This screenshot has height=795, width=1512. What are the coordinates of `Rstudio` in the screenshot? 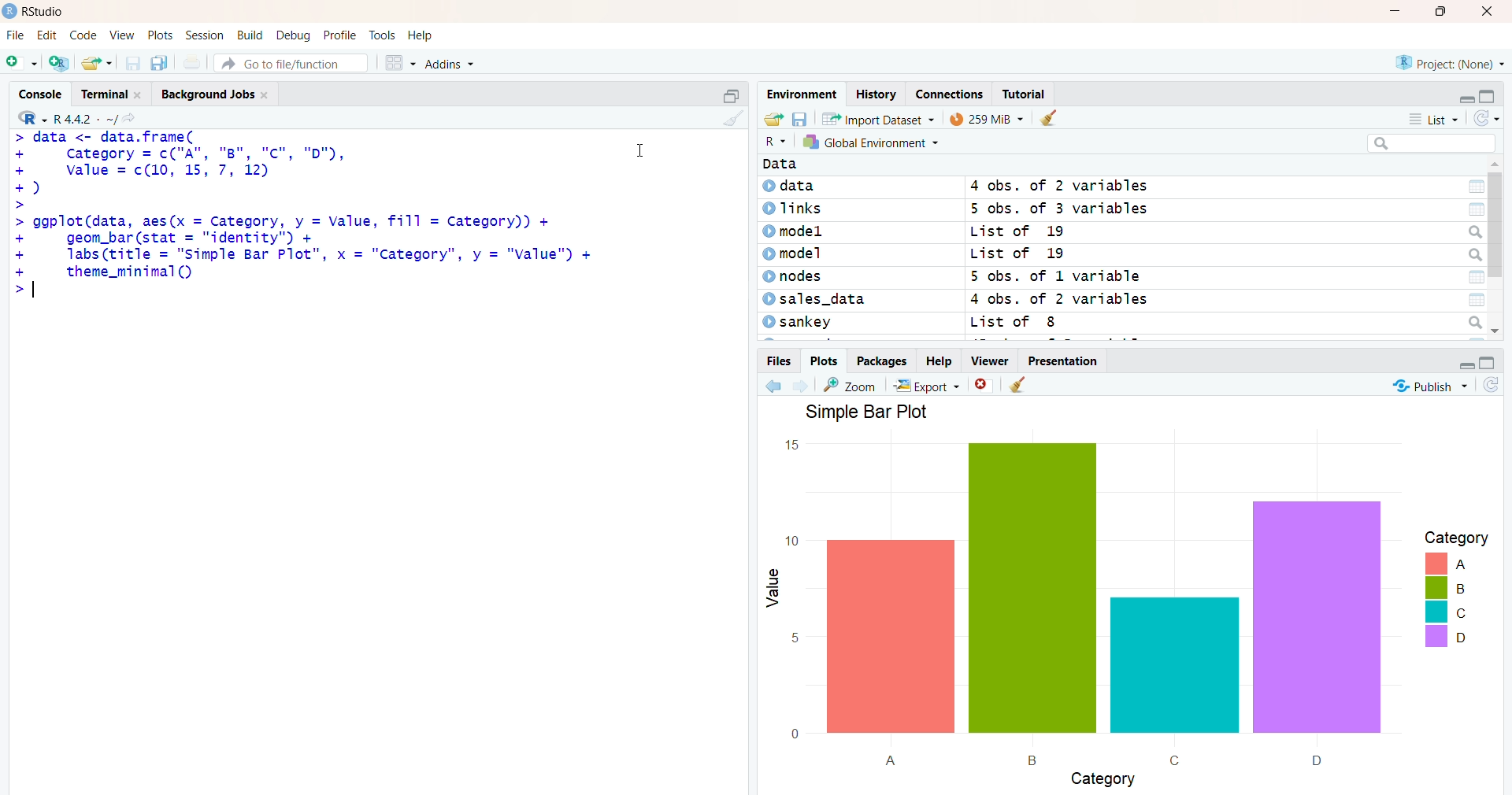 It's located at (48, 12).